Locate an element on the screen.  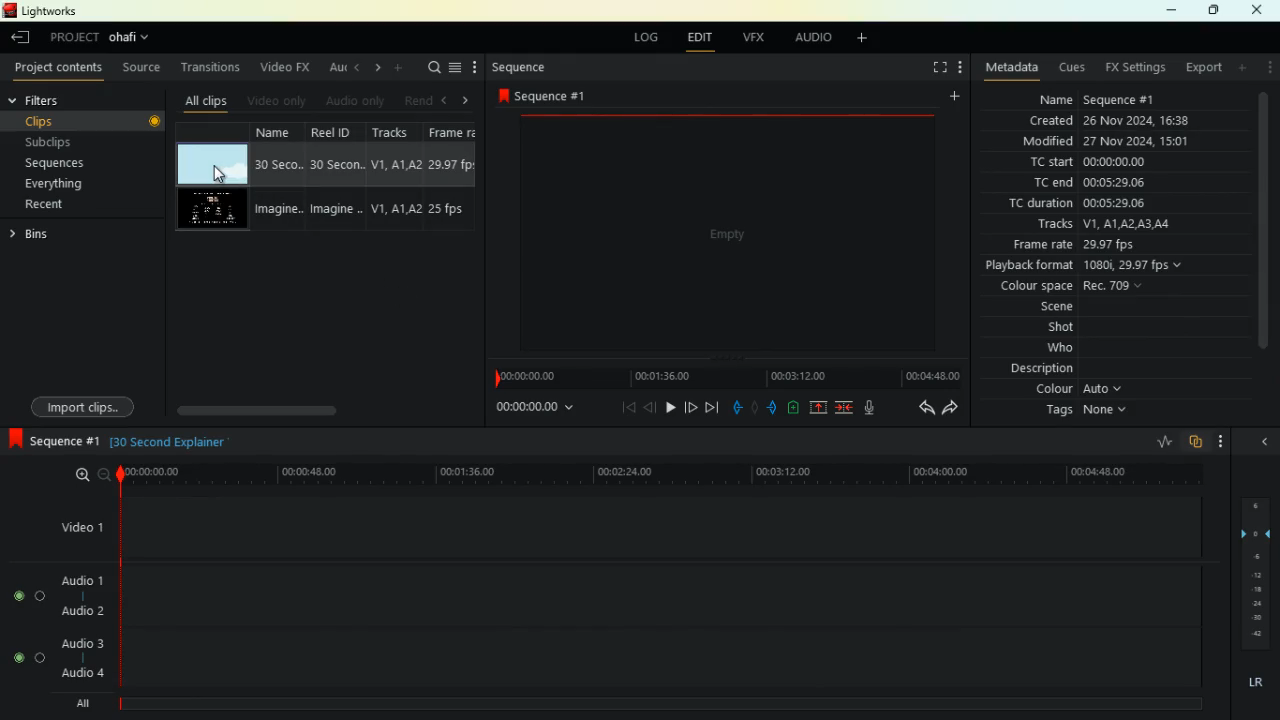
close is located at coordinates (1262, 443).